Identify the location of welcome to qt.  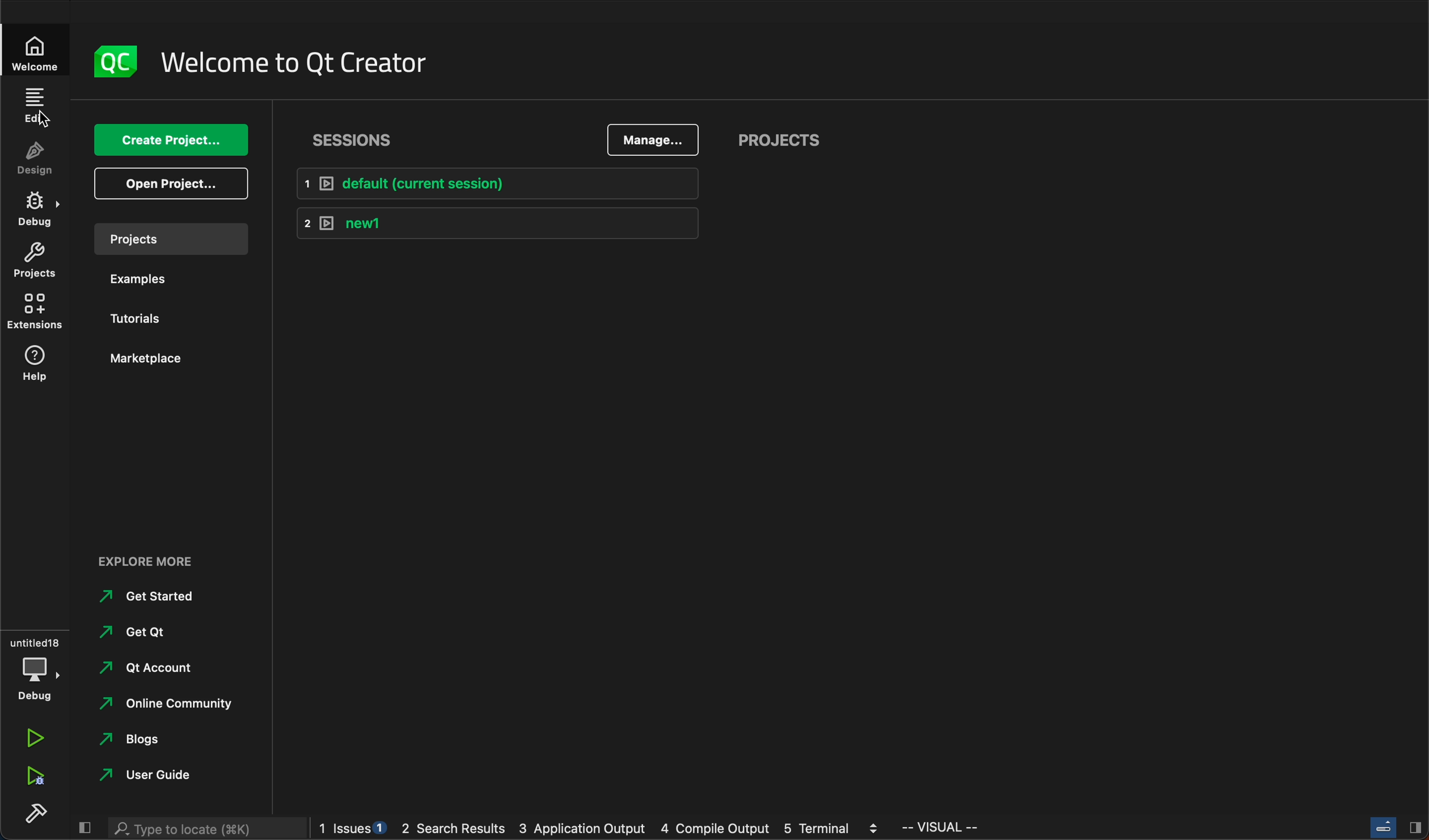
(294, 60).